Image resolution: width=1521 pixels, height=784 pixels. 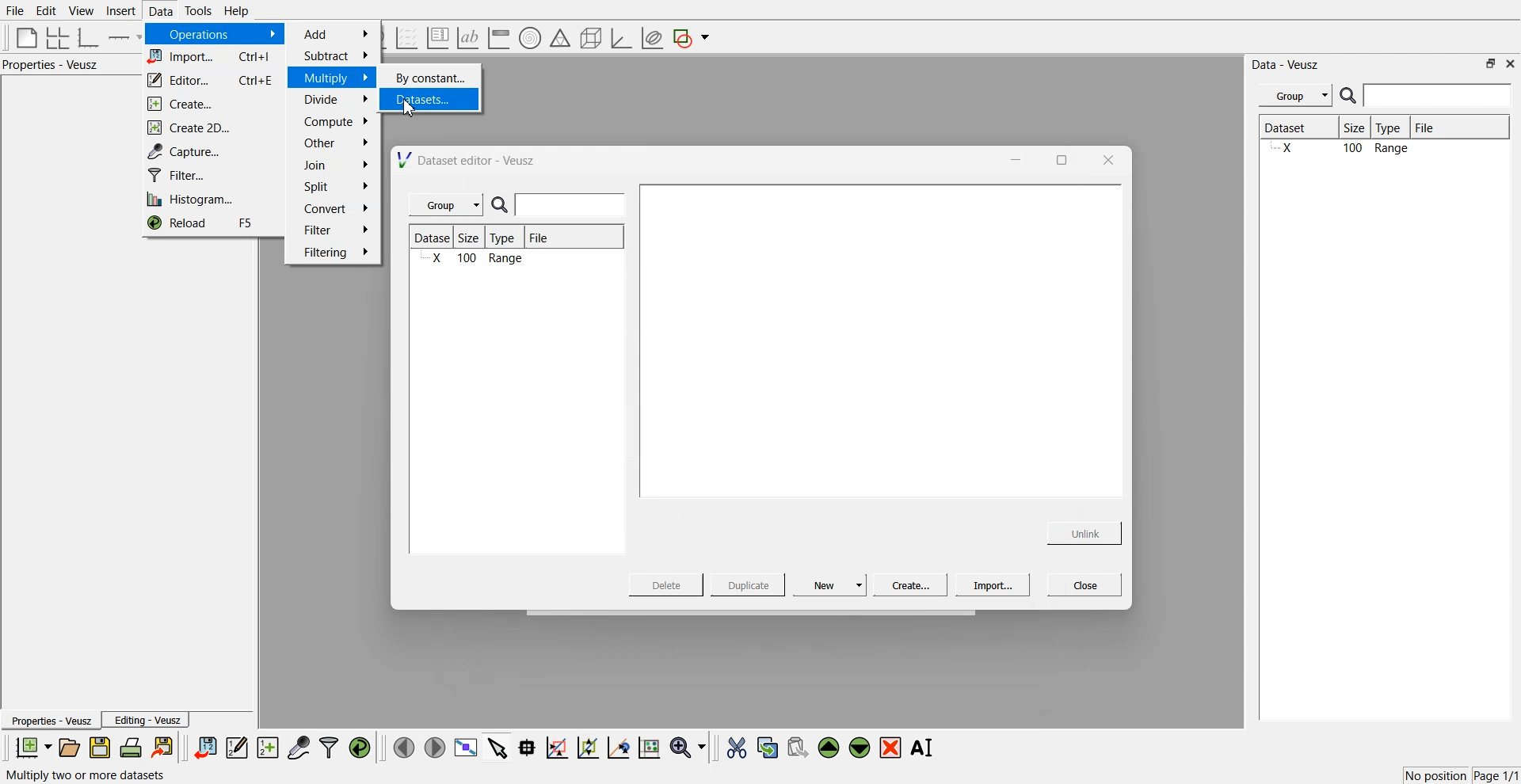 What do you see at coordinates (32, 747) in the screenshot?
I see `new documents` at bounding box center [32, 747].